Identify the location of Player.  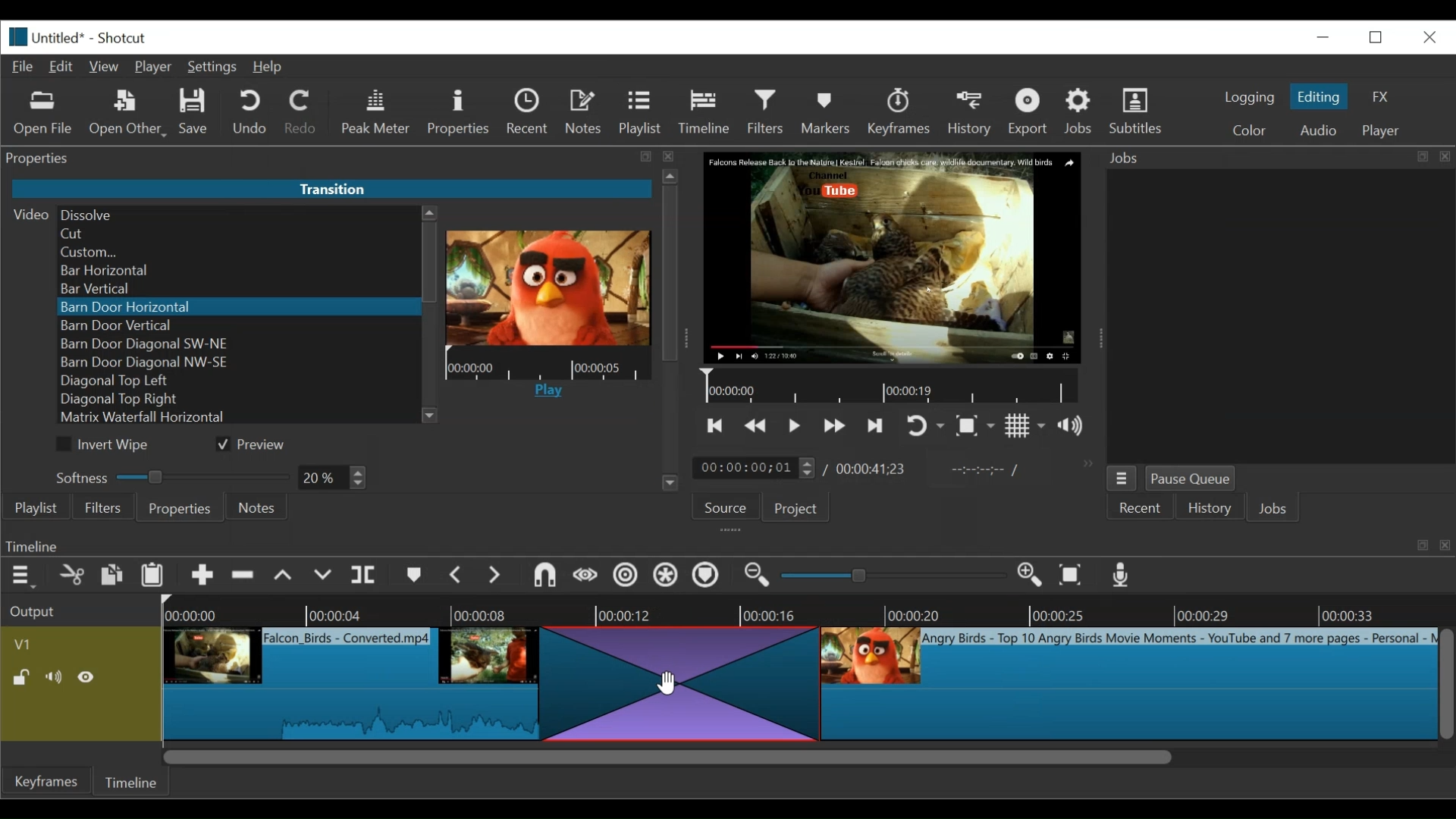
(155, 67).